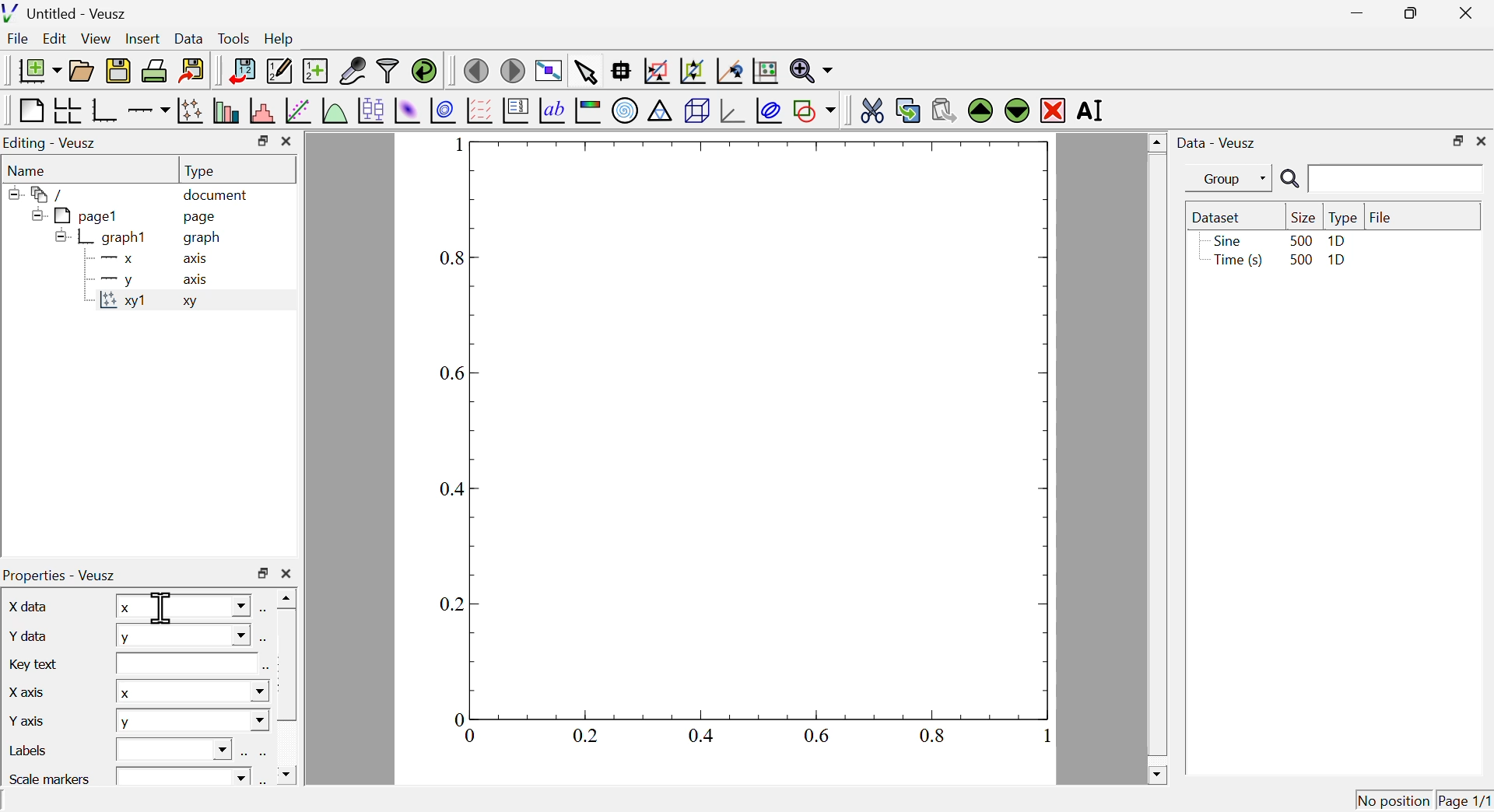 This screenshot has height=812, width=1494. What do you see at coordinates (260, 141) in the screenshot?
I see `maximize` at bounding box center [260, 141].